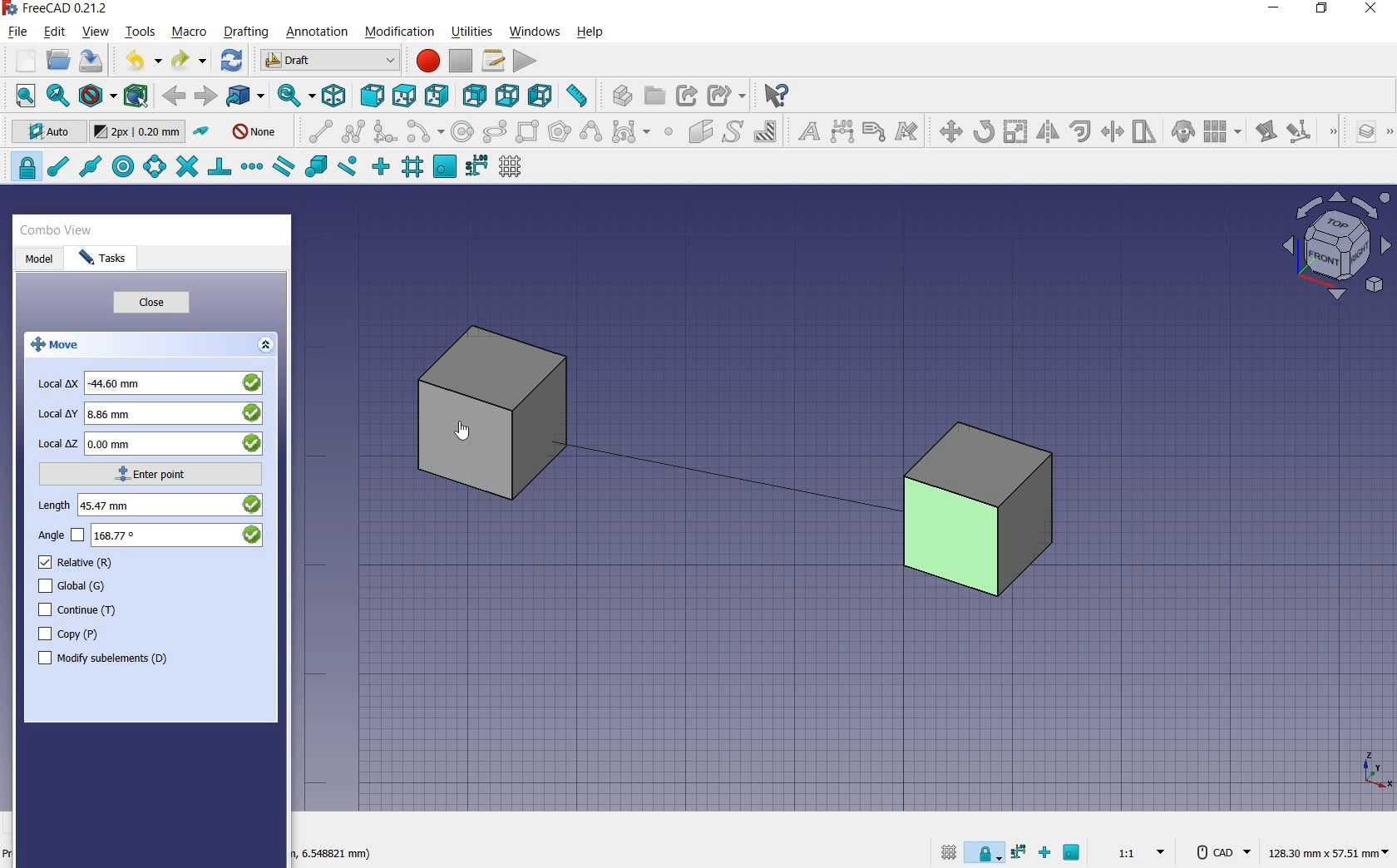 The height and width of the screenshot is (868, 1397). What do you see at coordinates (726, 96) in the screenshot?
I see `make sub link` at bounding box center [726, 96].